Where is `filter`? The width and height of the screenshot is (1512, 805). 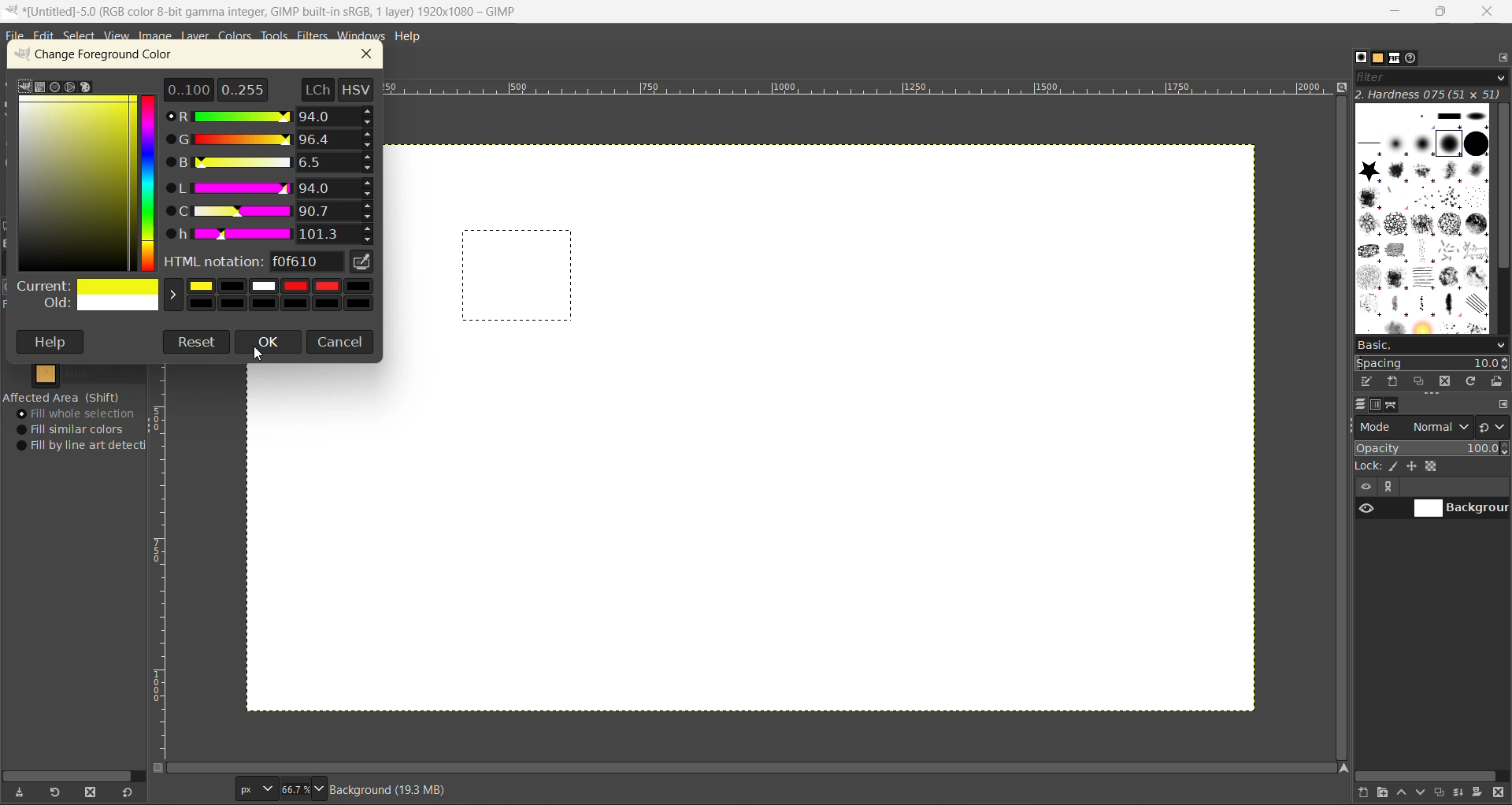 filter is located at coordinates (1432, 79).